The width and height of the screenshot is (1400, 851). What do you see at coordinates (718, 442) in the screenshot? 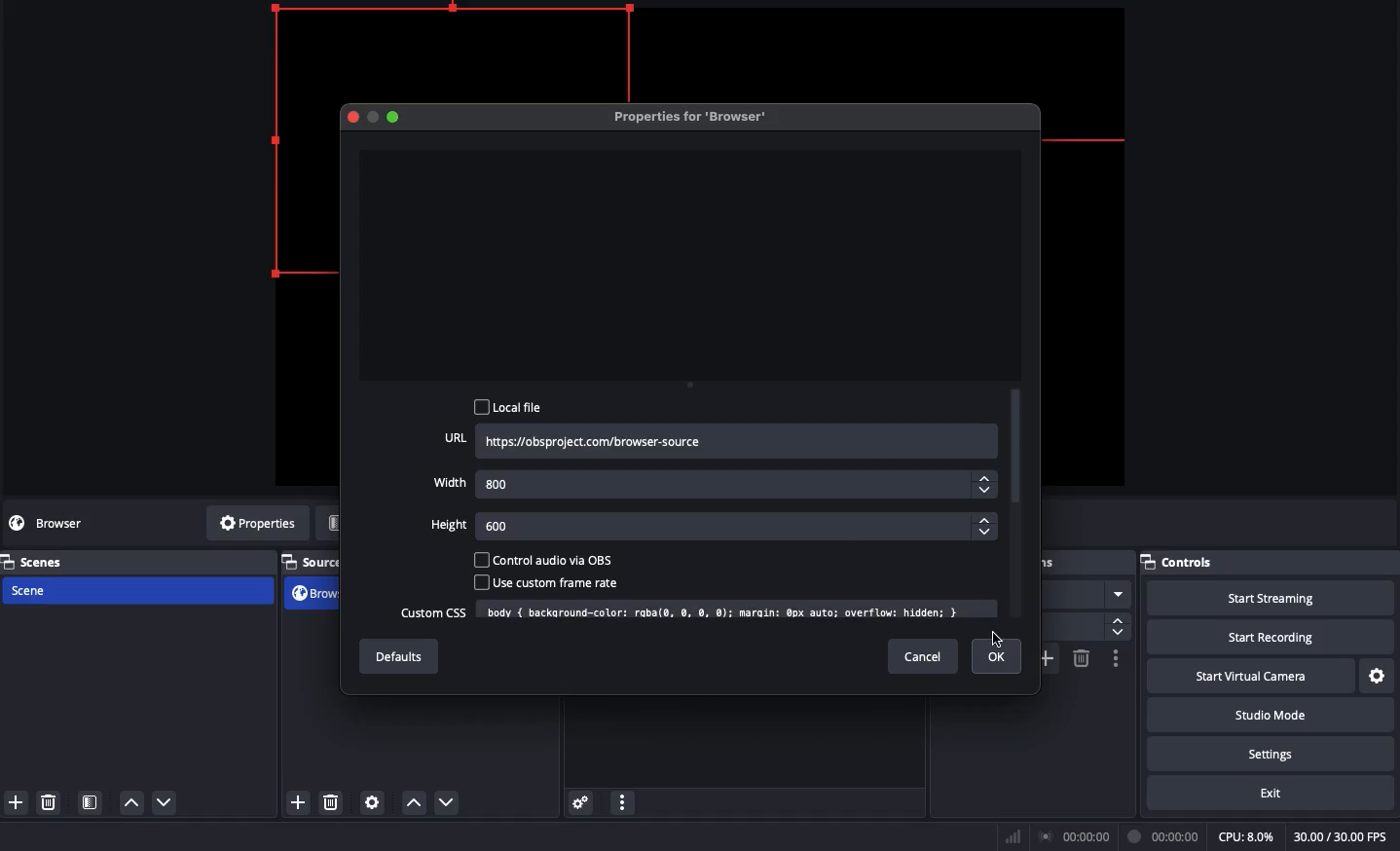
I see `URL` at bounding box center [718, 442].